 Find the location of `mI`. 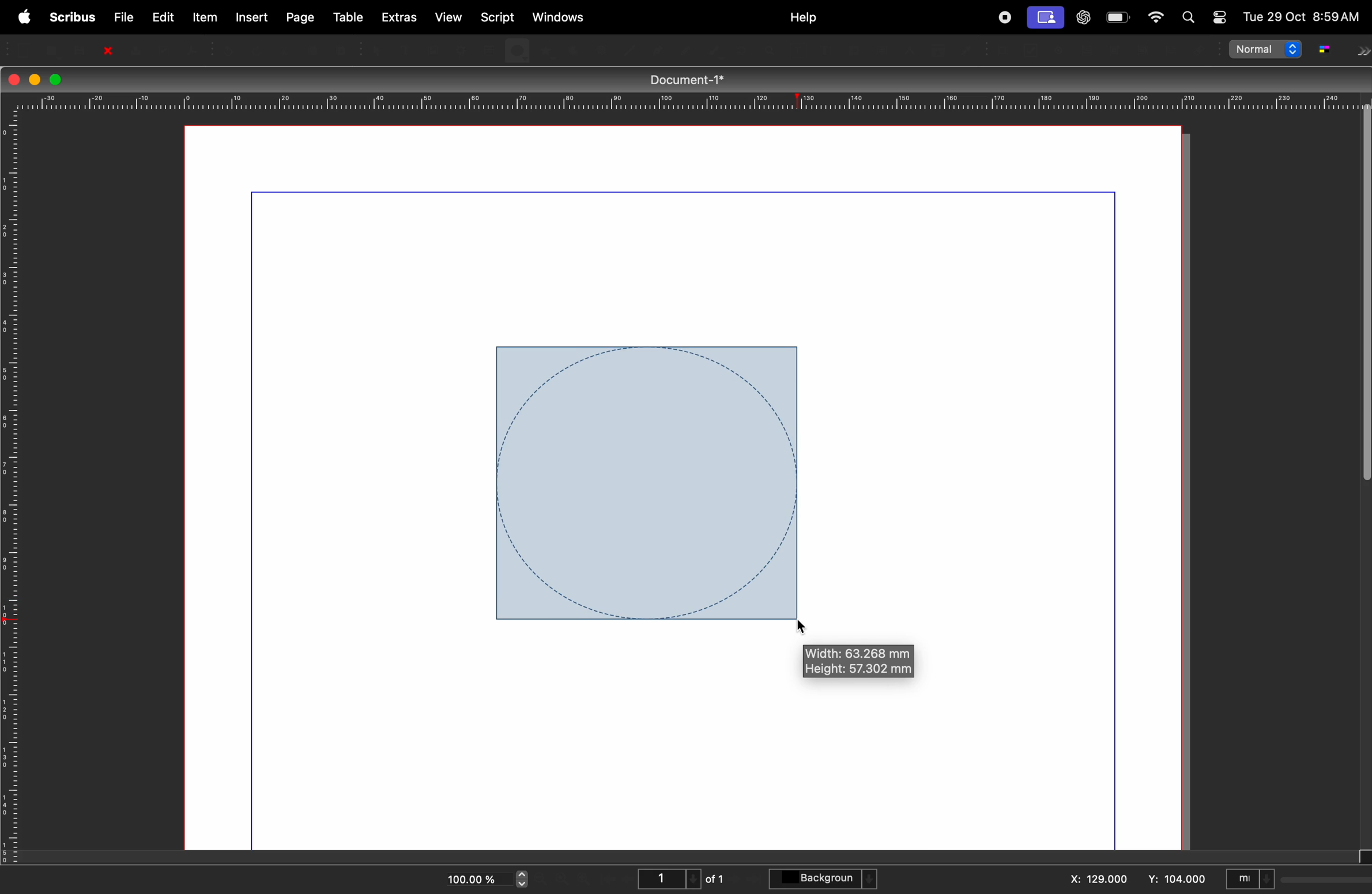

mI is located at coordinates (1250, 877).